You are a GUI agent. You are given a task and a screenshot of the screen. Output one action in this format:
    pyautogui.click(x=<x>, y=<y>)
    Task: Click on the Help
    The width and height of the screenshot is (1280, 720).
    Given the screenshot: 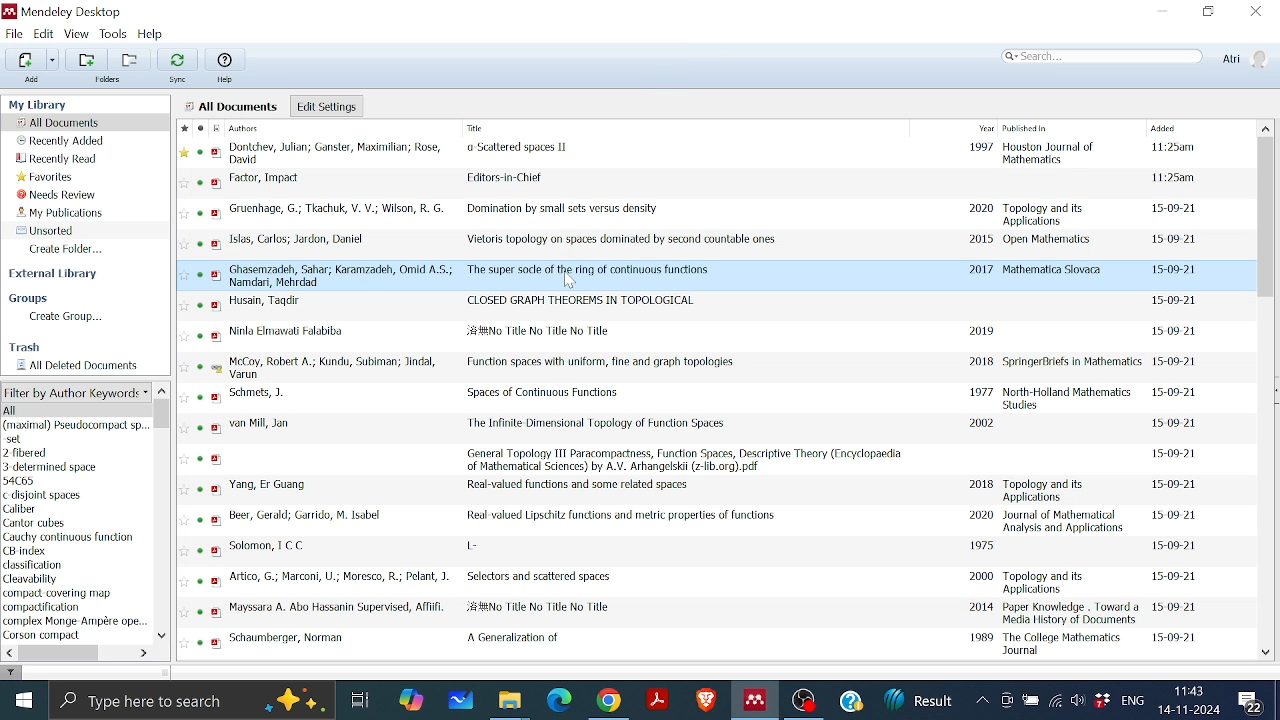 What is the action you would take?
    pyautogui.click(x=223, y=67)
    